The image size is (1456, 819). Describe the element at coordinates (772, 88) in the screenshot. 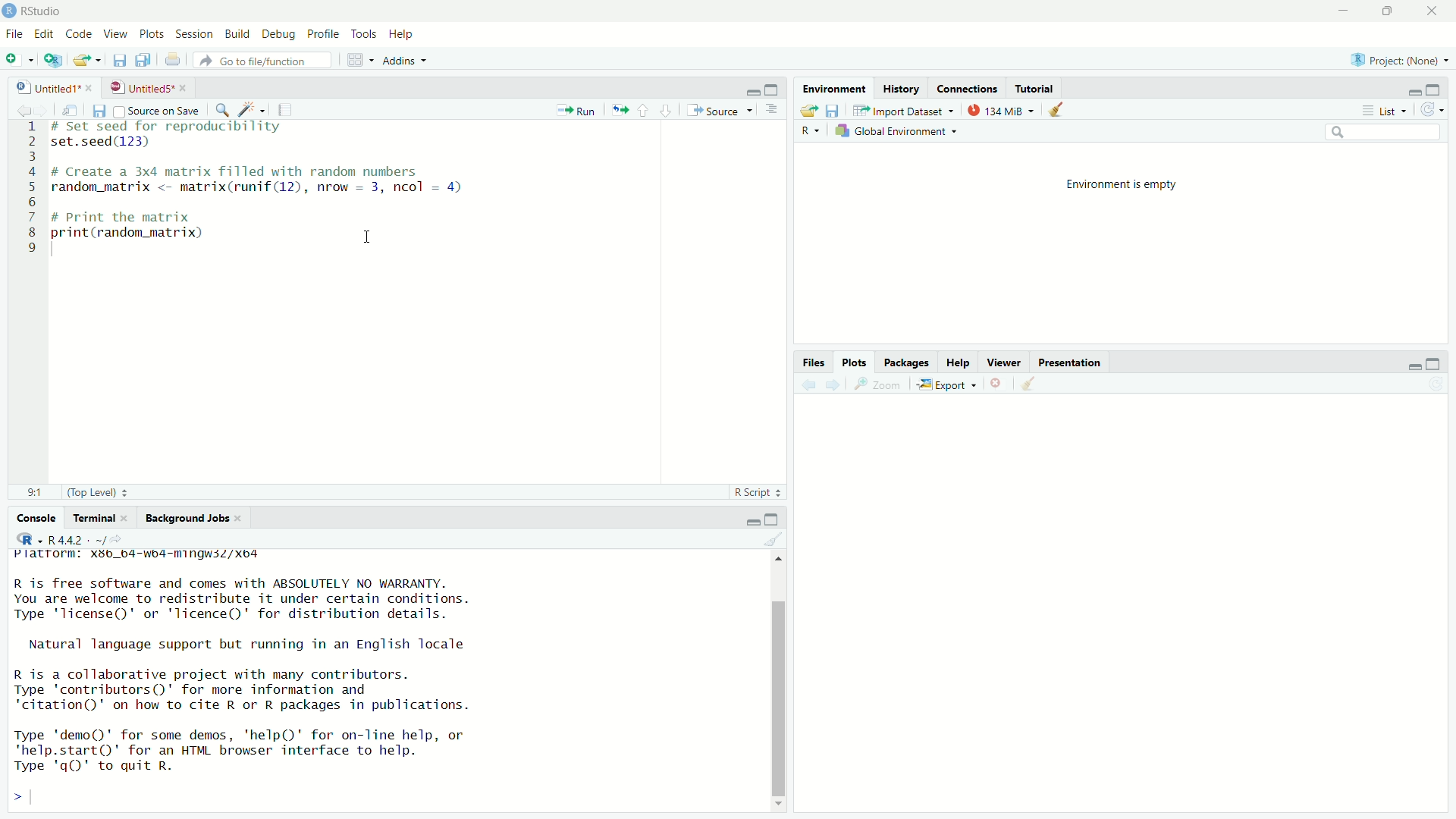

I see `maximise` at that location.